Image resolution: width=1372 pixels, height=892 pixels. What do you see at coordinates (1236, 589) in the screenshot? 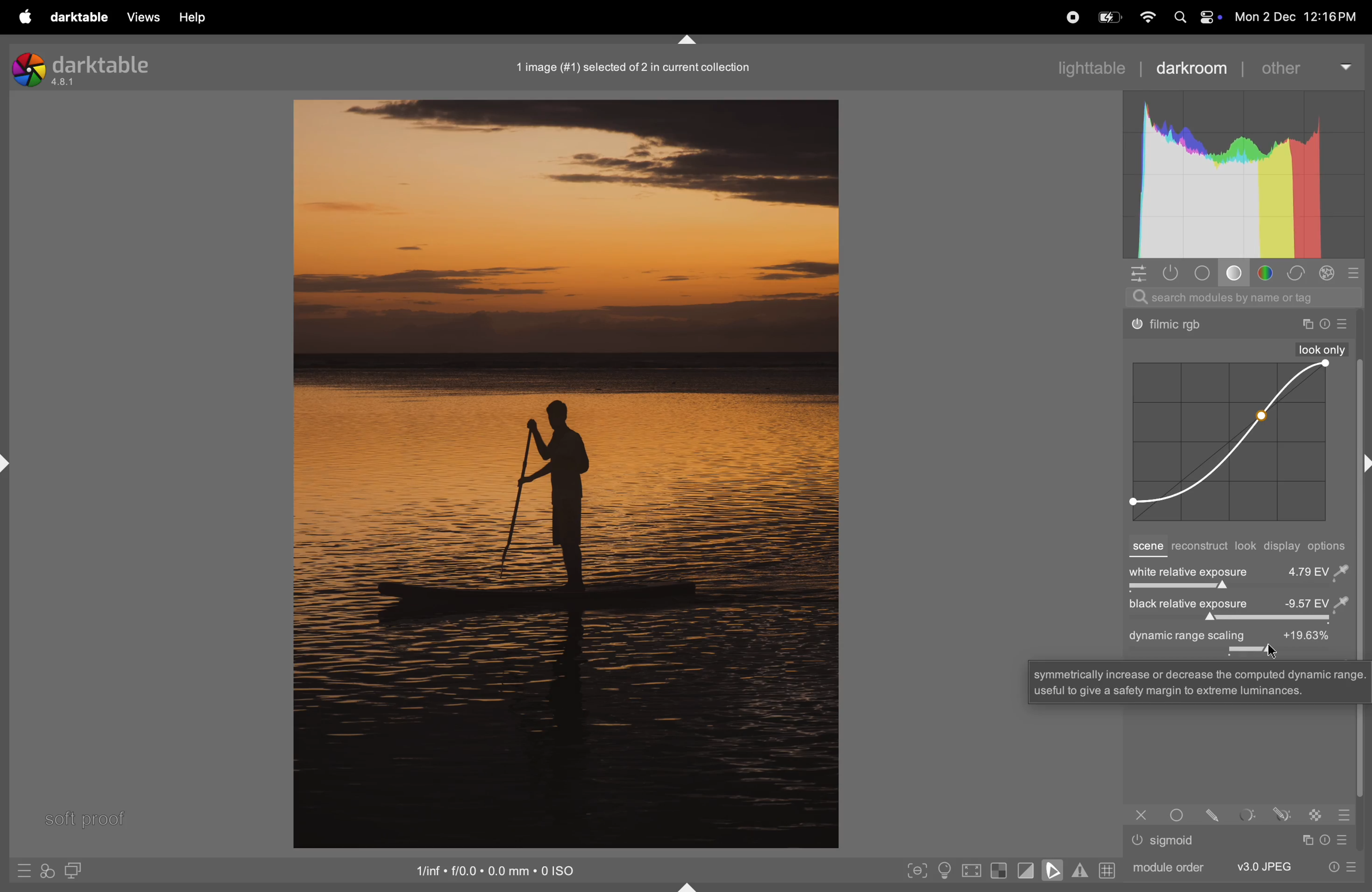
I see `toggle bar` at bounding box center [1236, 589].